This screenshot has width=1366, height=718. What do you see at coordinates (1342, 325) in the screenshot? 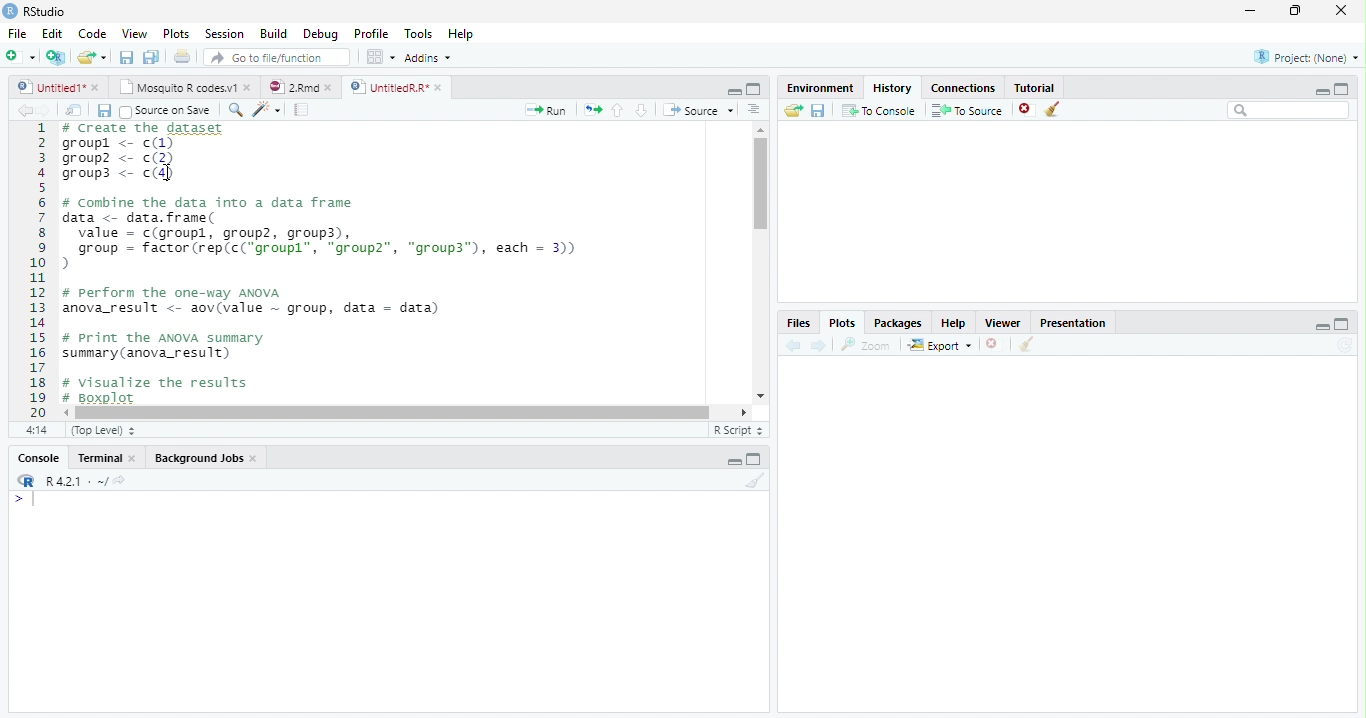
I see `Maximize` at bounding box center [1342, 325].